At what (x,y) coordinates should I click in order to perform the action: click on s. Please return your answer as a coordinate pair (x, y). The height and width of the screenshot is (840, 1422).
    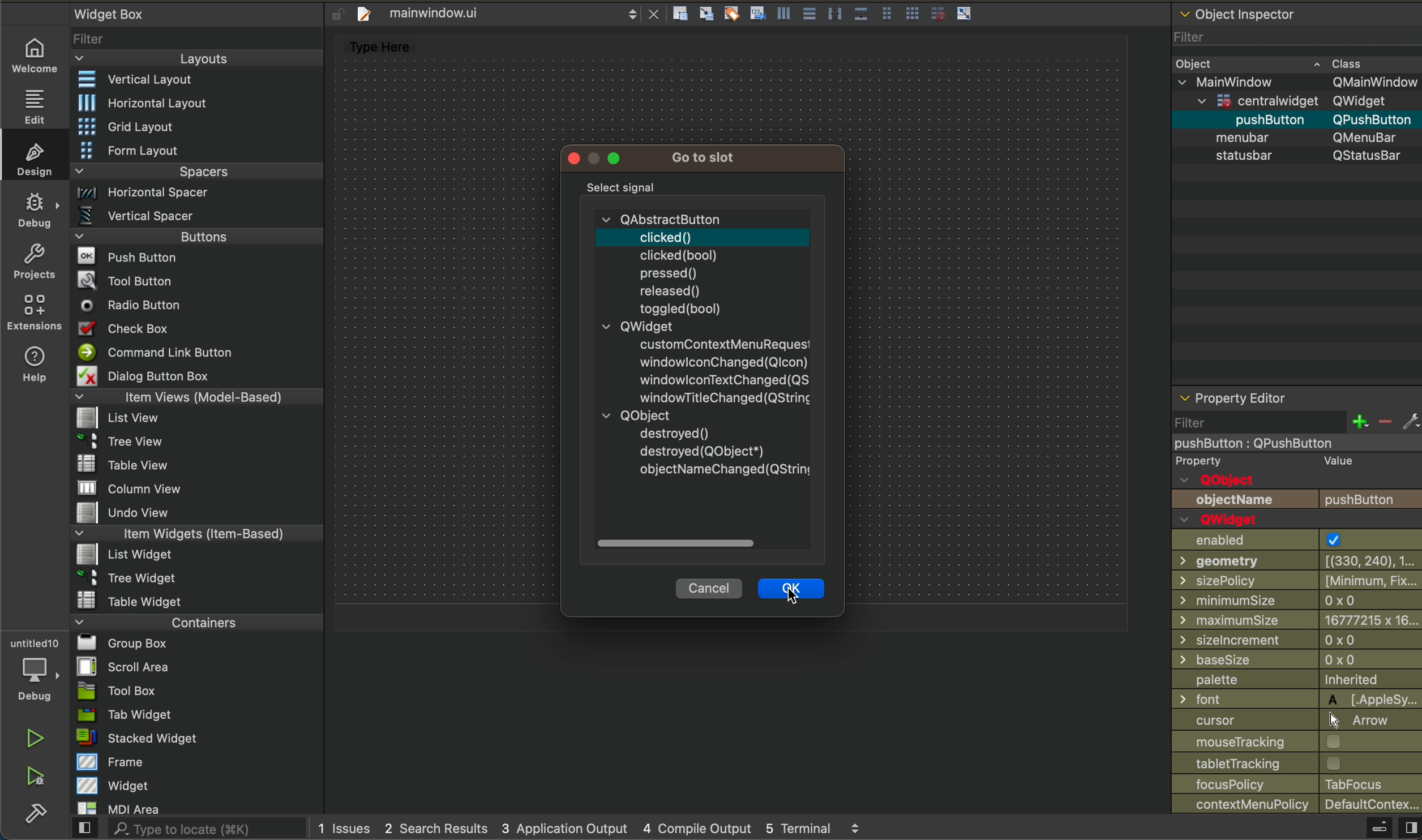
    Looking at the image, I should click on (1309, 156).